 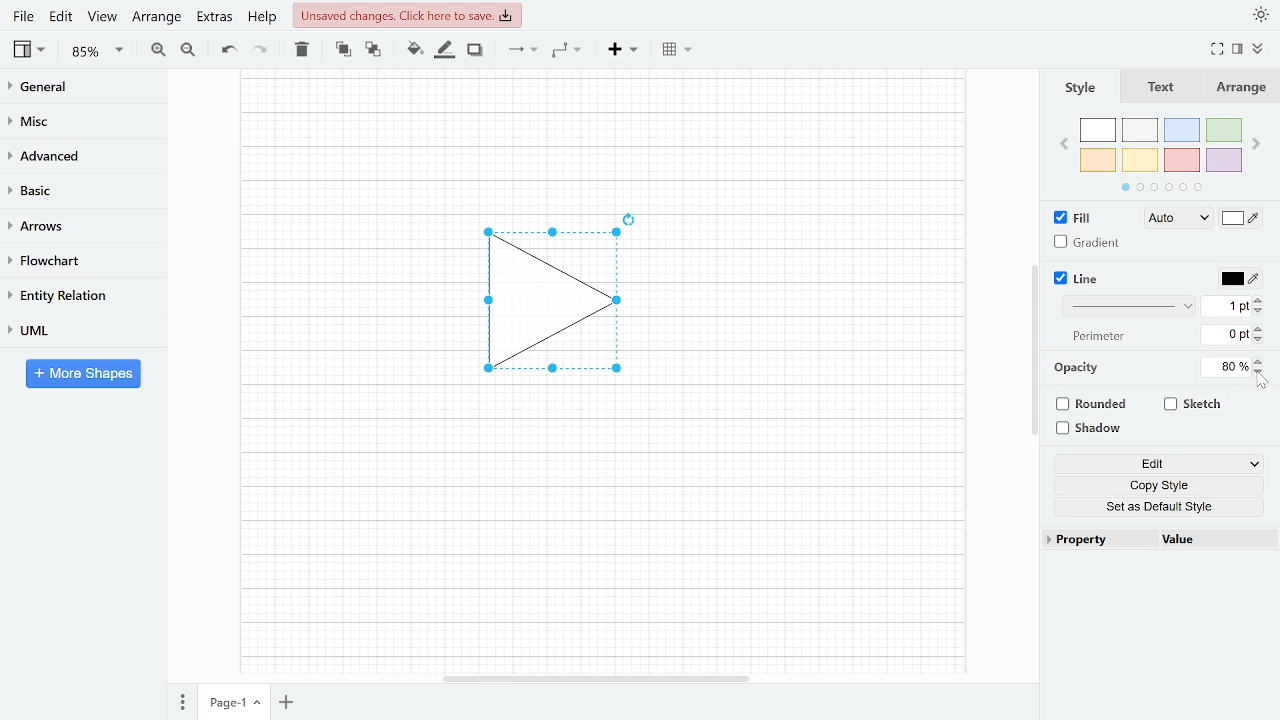 What do you see at coordinates (1264, 383) in the screenshot?
I see `cursor` at bounding box center [1264, 383].